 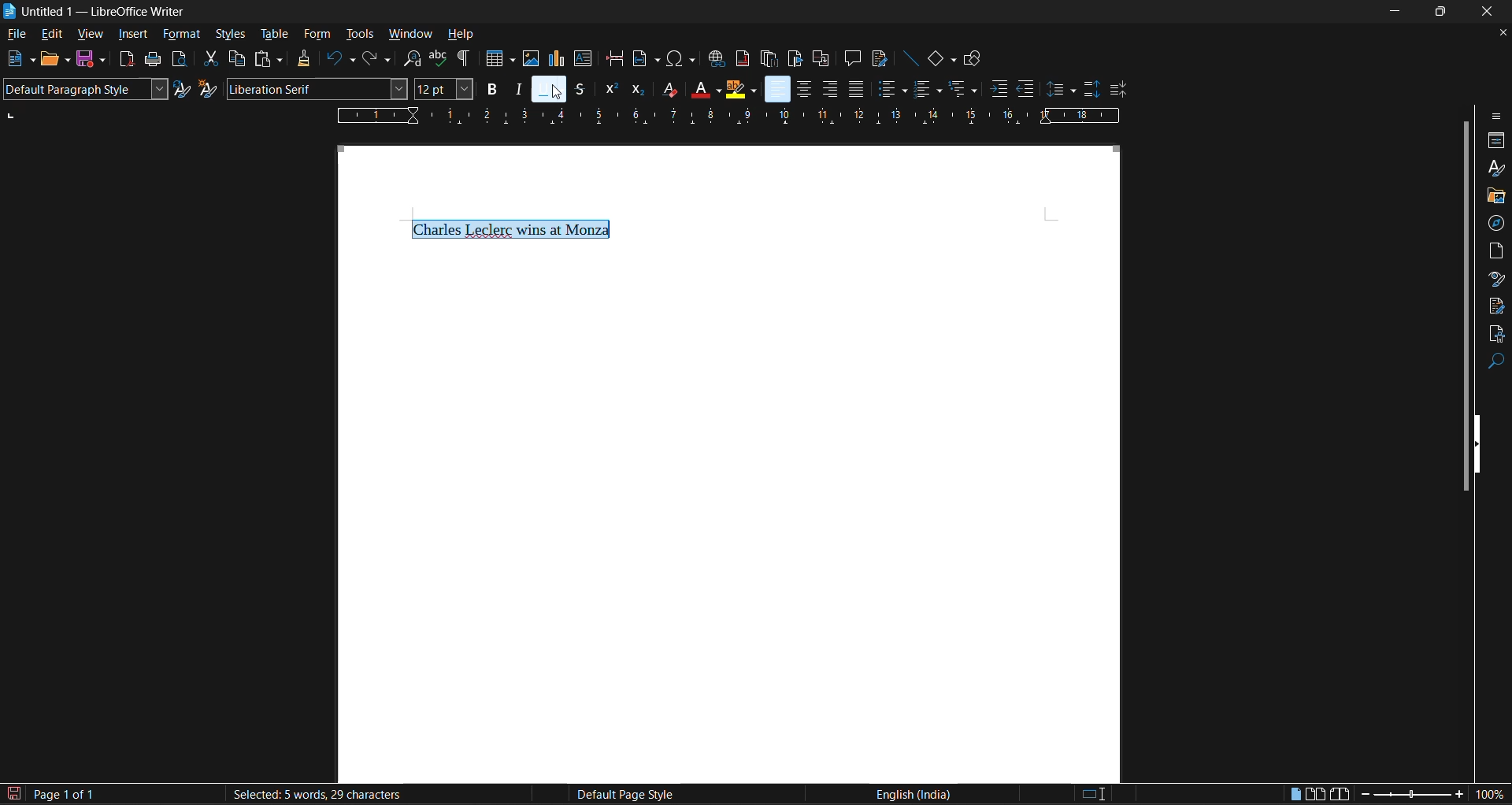 What do you see at coordinates (1340, 796) in the screenshot?
I see `book view` at bounding box center [1340, 796].